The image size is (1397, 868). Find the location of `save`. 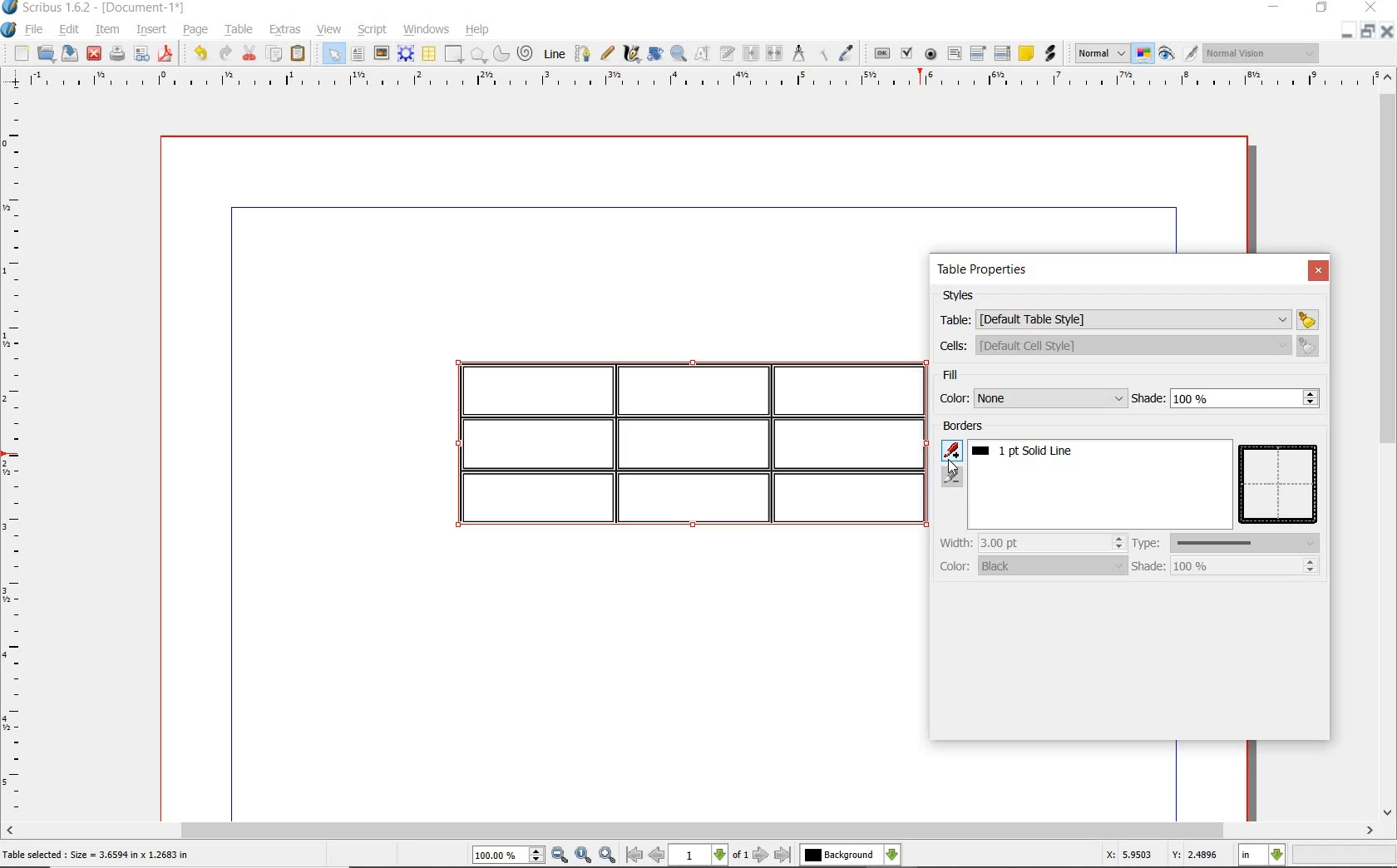

save is located at coordinates (69, 53).